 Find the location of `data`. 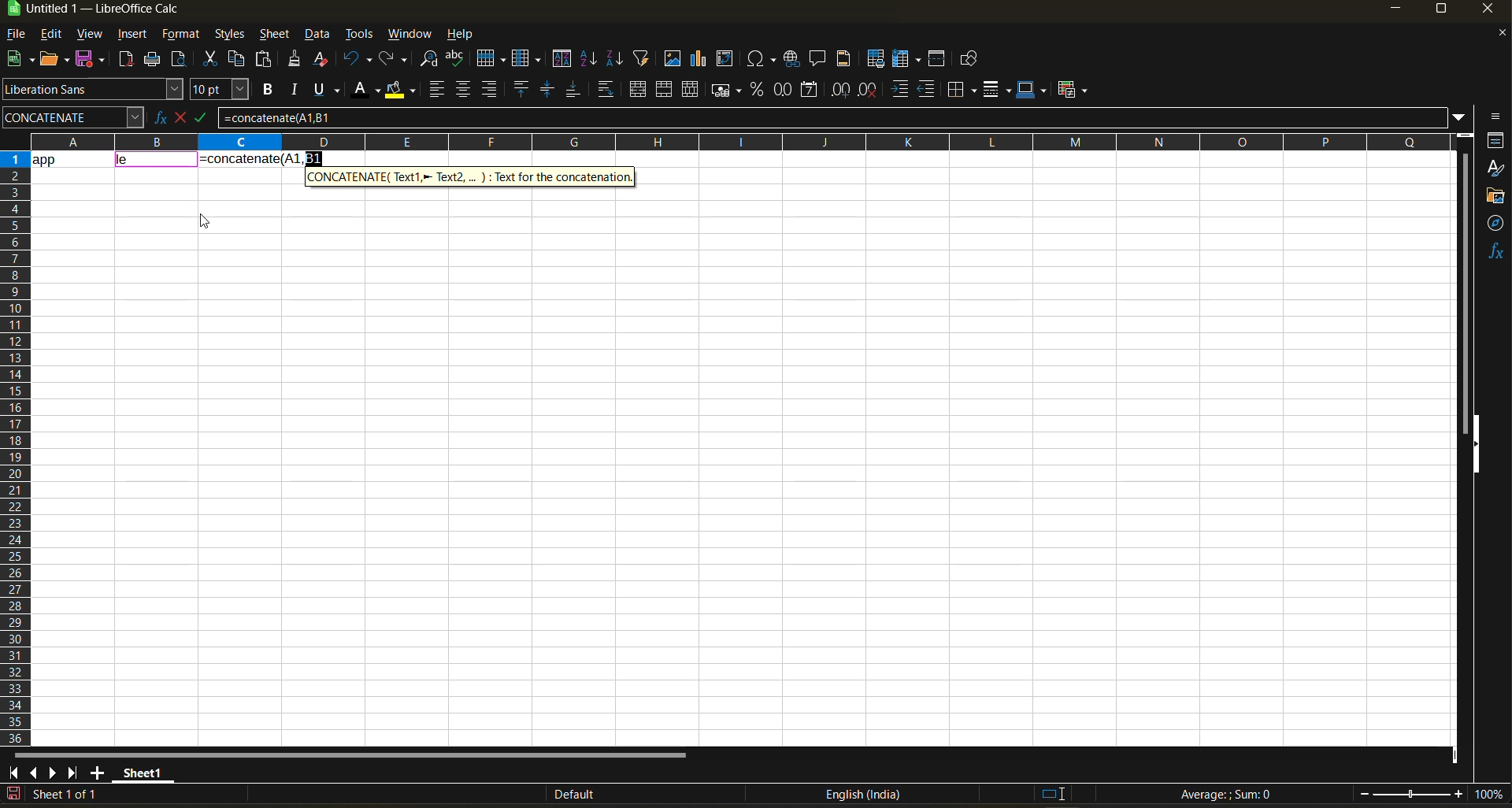

data is located at coordinates (72, 158).